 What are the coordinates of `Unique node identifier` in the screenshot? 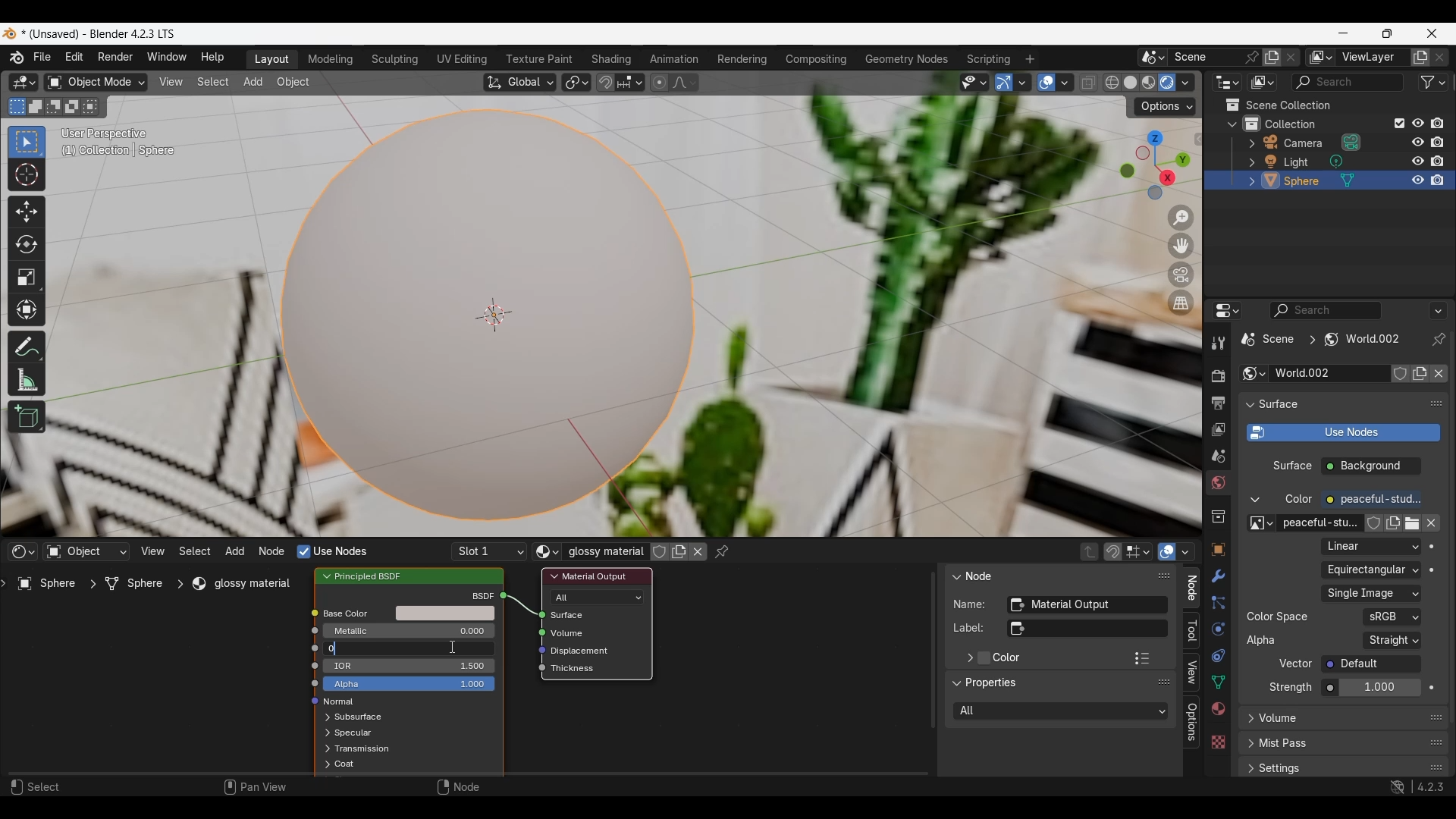 It's located at (1087, 605).